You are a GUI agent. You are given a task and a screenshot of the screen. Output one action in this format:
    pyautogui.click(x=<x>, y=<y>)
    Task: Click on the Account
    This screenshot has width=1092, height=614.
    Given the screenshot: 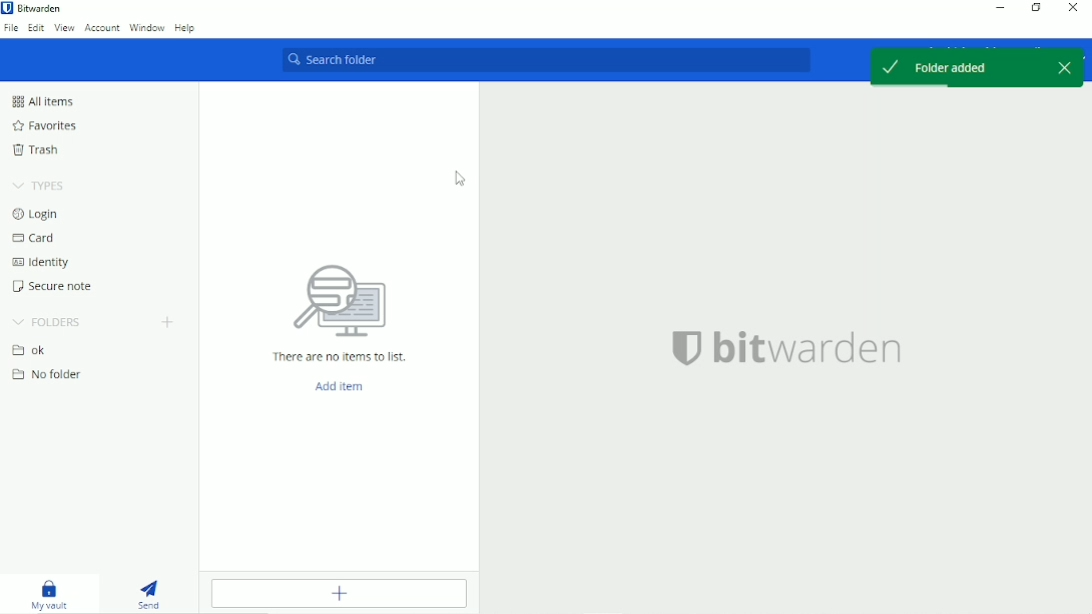 What is the action you would take?
    pyautogui.click(x=103, y=28)
    